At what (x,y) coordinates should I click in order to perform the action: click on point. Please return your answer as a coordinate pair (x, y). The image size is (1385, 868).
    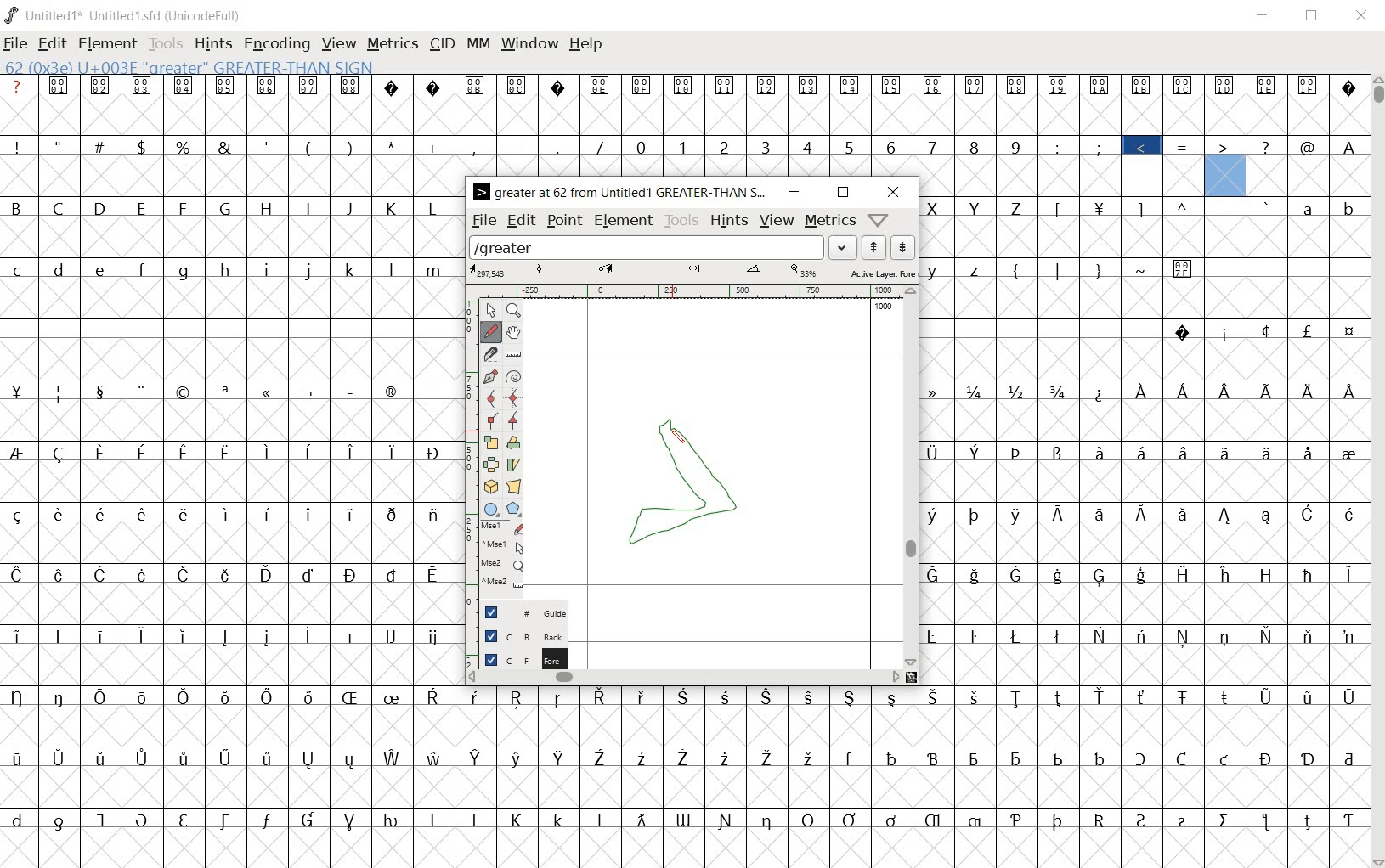
    Looking at the image, I should click on (565, 221).